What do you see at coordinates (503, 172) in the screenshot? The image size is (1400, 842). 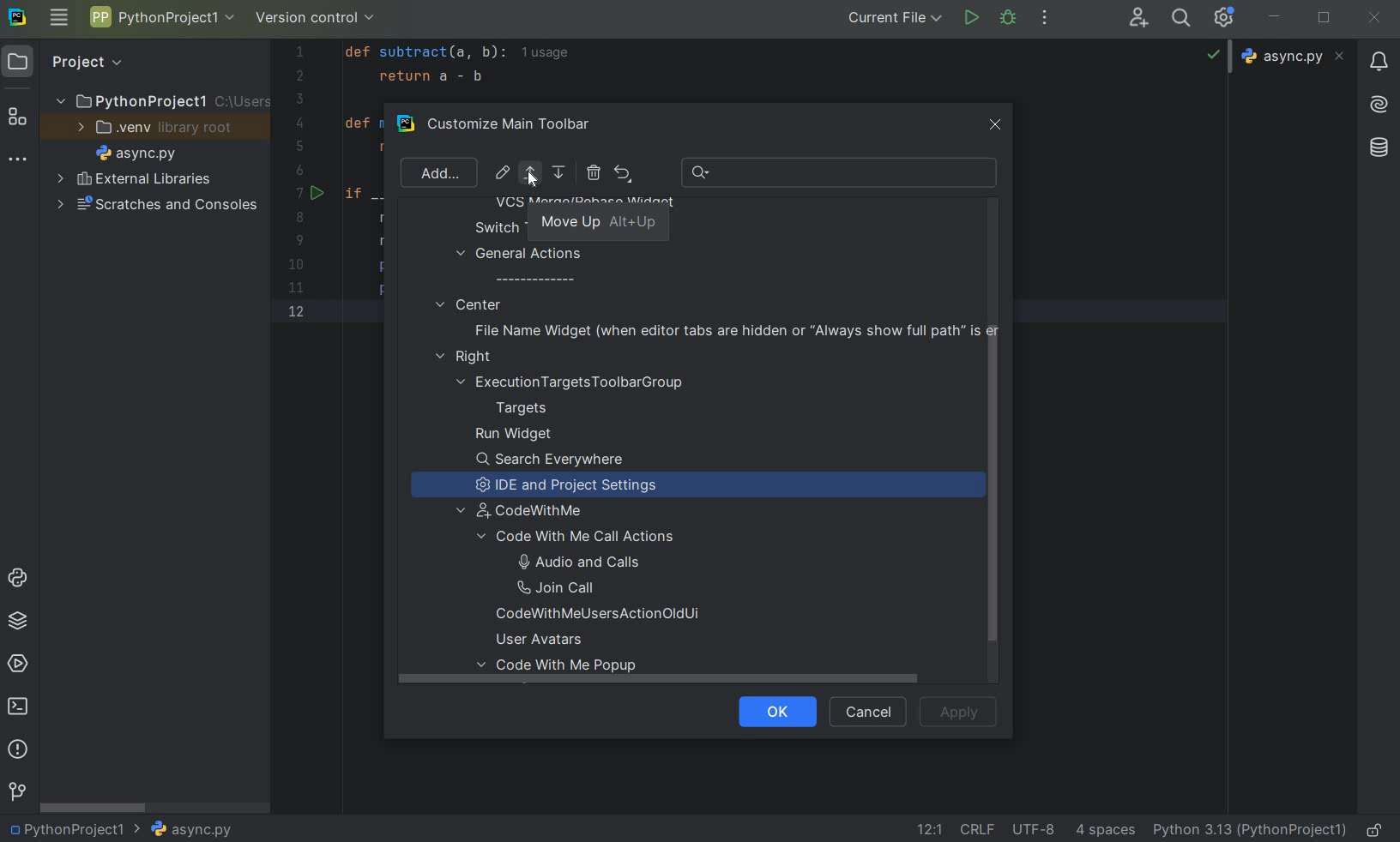 I see `EDIT ICON` at bounding box center [503, 172].